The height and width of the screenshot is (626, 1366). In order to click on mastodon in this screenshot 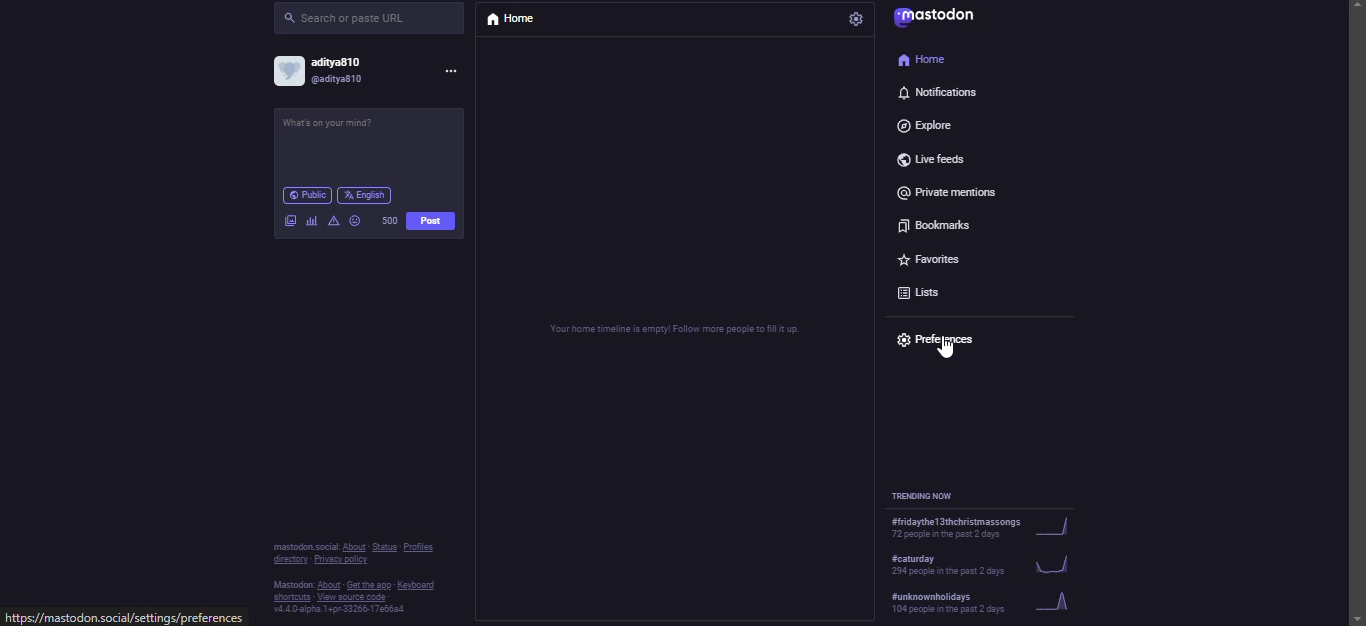, I will do `click(940, 18)`.